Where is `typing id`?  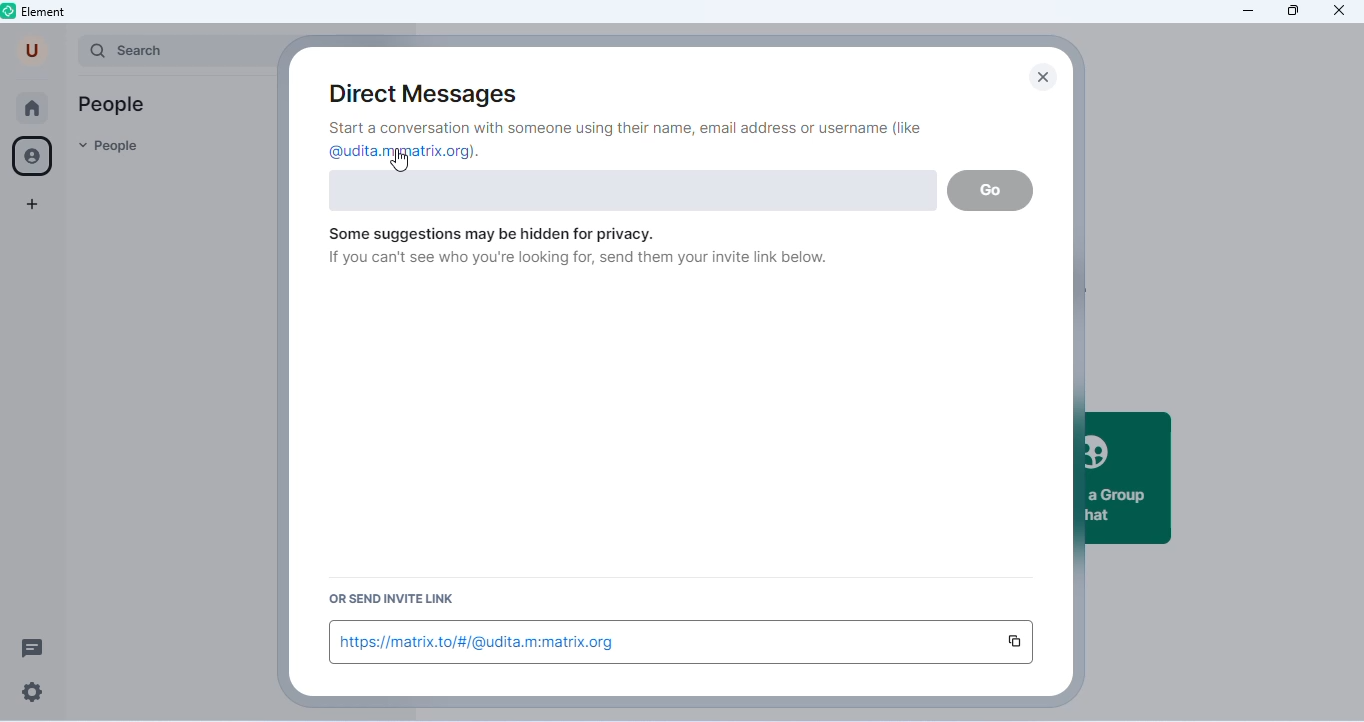
typing id is located at coordinates (633, 191).